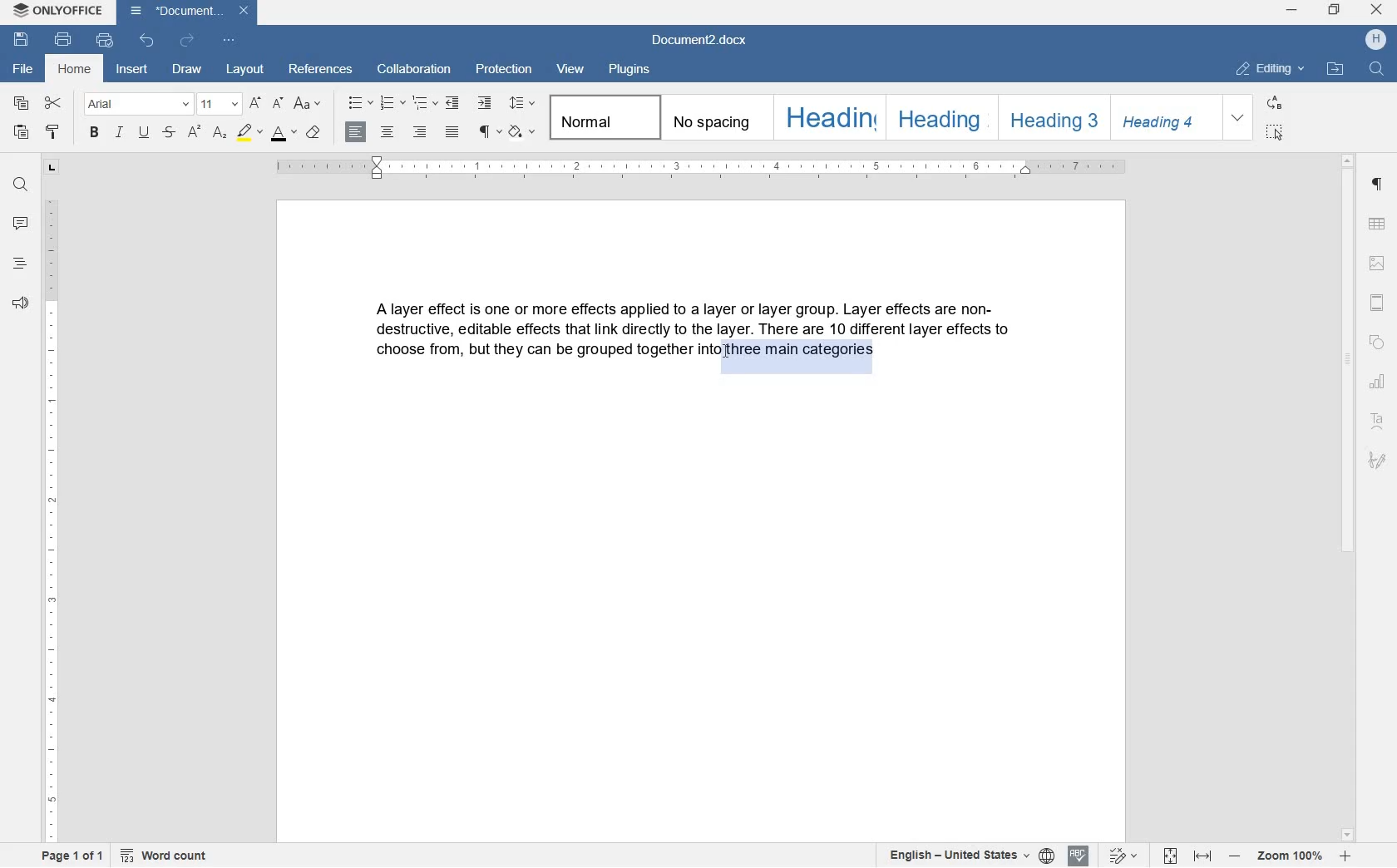 This screenshot has width=1397, height=868. I want to click on home, so click(76, 71).